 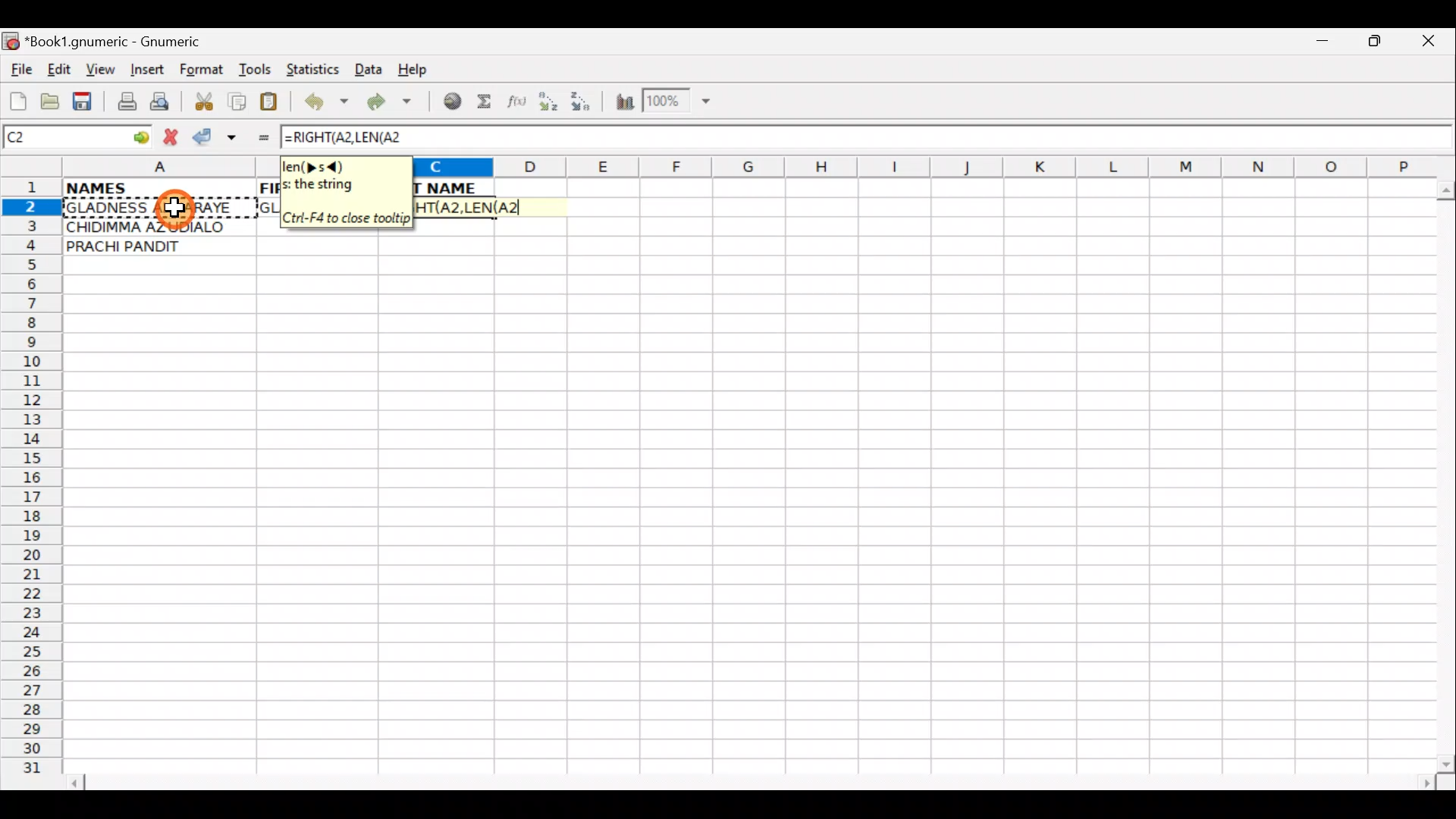 What do you see at coordinates (140, 135) in the screenshot?
I see `go to` at bounding box center [140, 135].